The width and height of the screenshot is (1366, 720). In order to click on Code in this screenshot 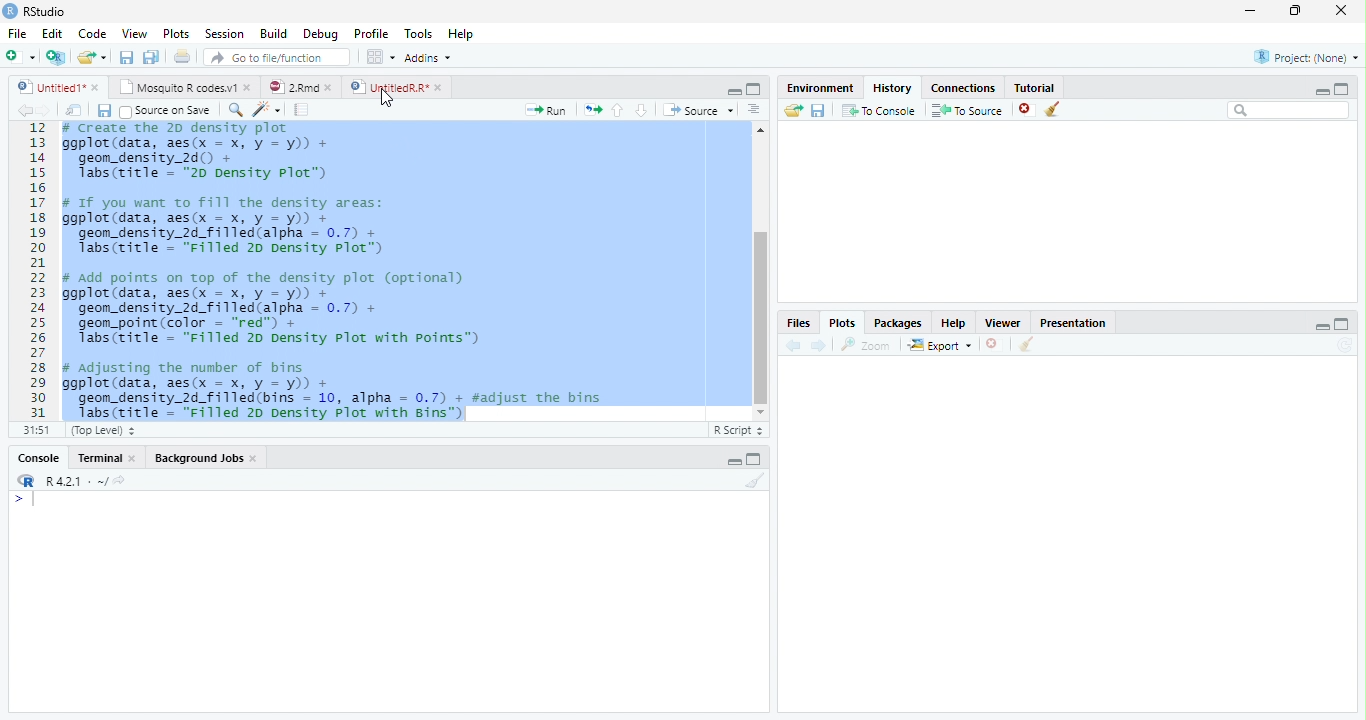, I will do `click(94, 35)`.